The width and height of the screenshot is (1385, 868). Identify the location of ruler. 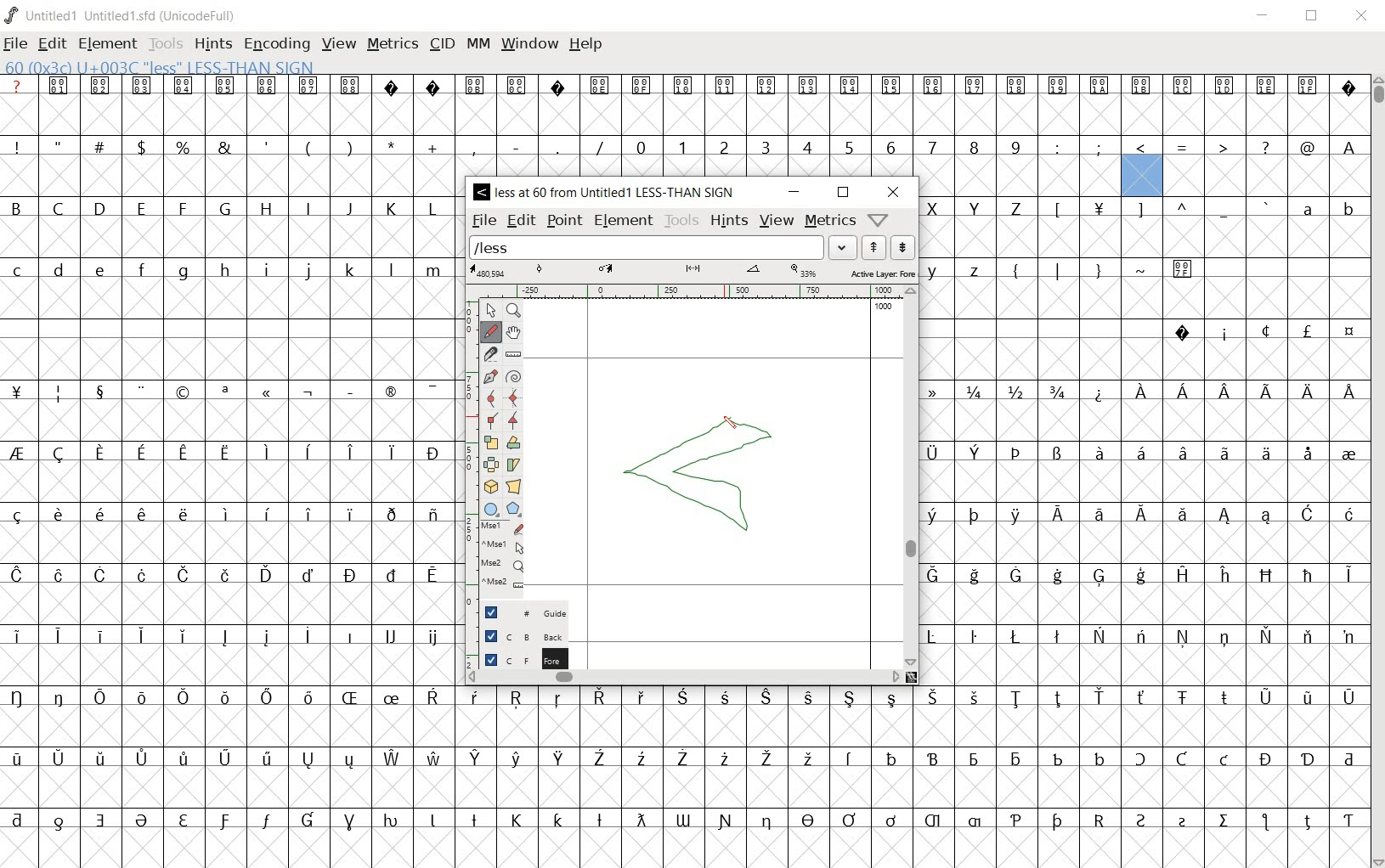
(691, 293).